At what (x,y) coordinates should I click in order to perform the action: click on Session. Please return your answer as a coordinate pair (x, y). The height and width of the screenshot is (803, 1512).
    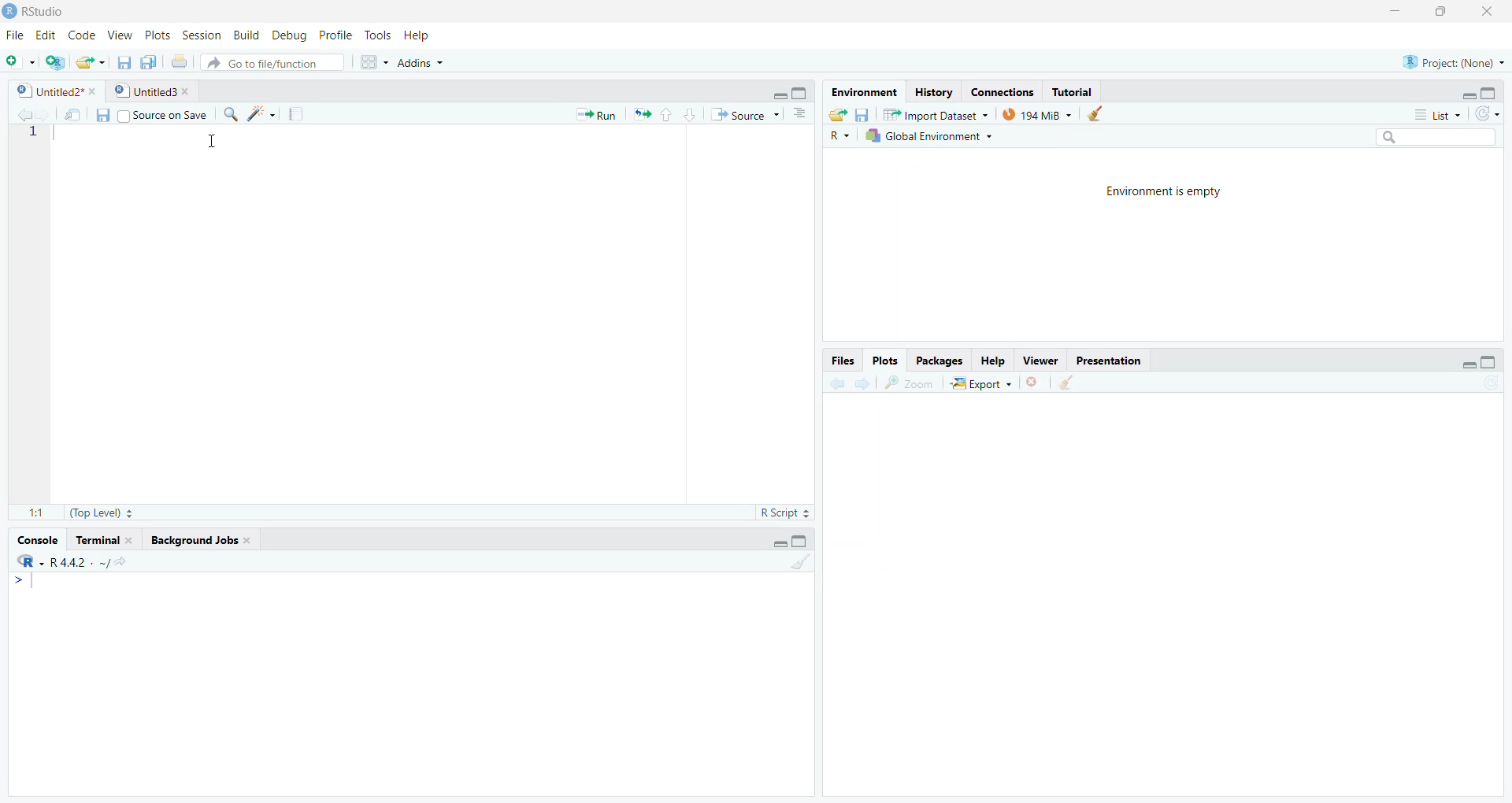
    Looking at the image, I should click on (202, 35).